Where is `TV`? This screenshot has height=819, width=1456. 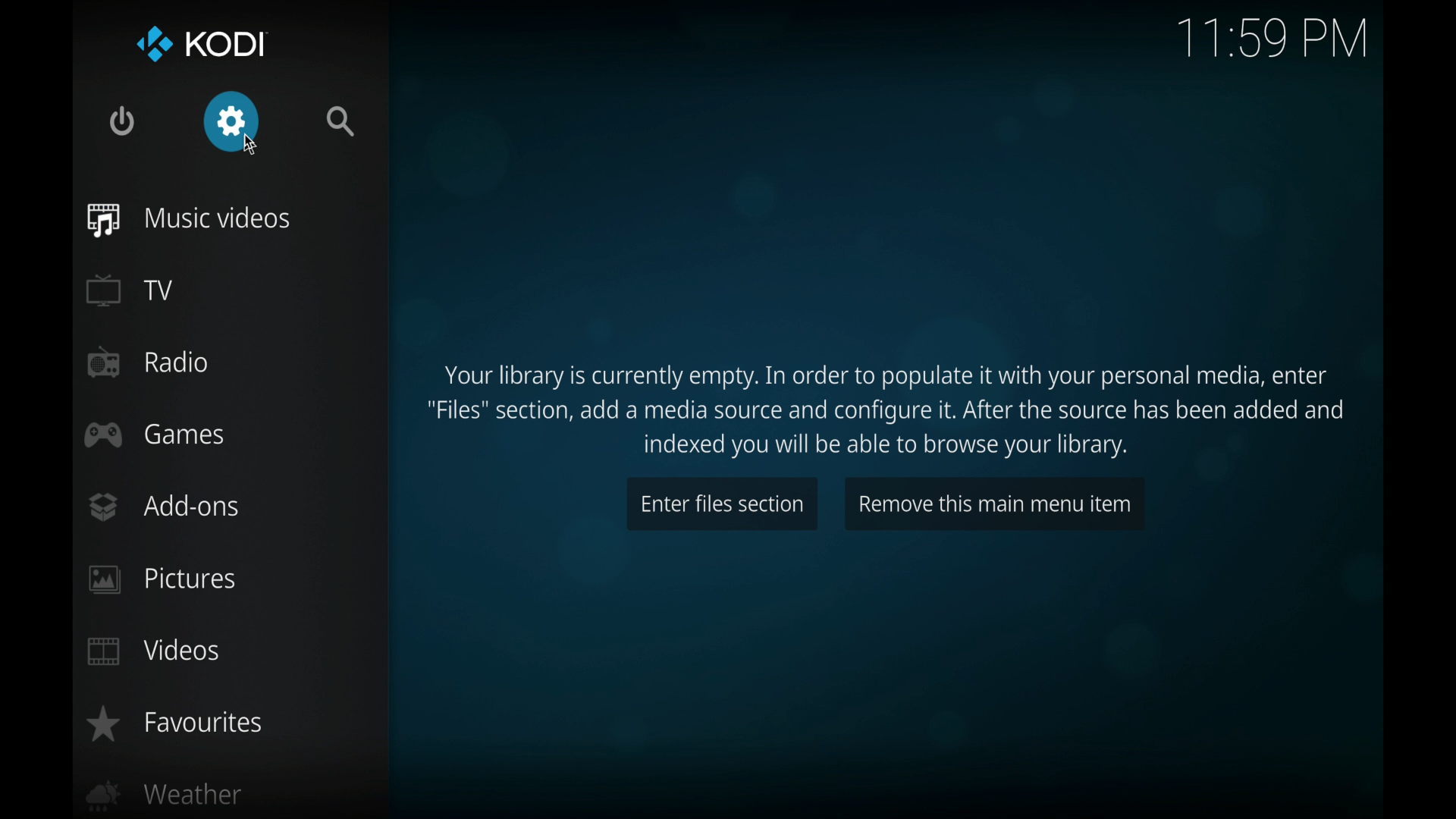
TV is located at coordinates (130, 290).